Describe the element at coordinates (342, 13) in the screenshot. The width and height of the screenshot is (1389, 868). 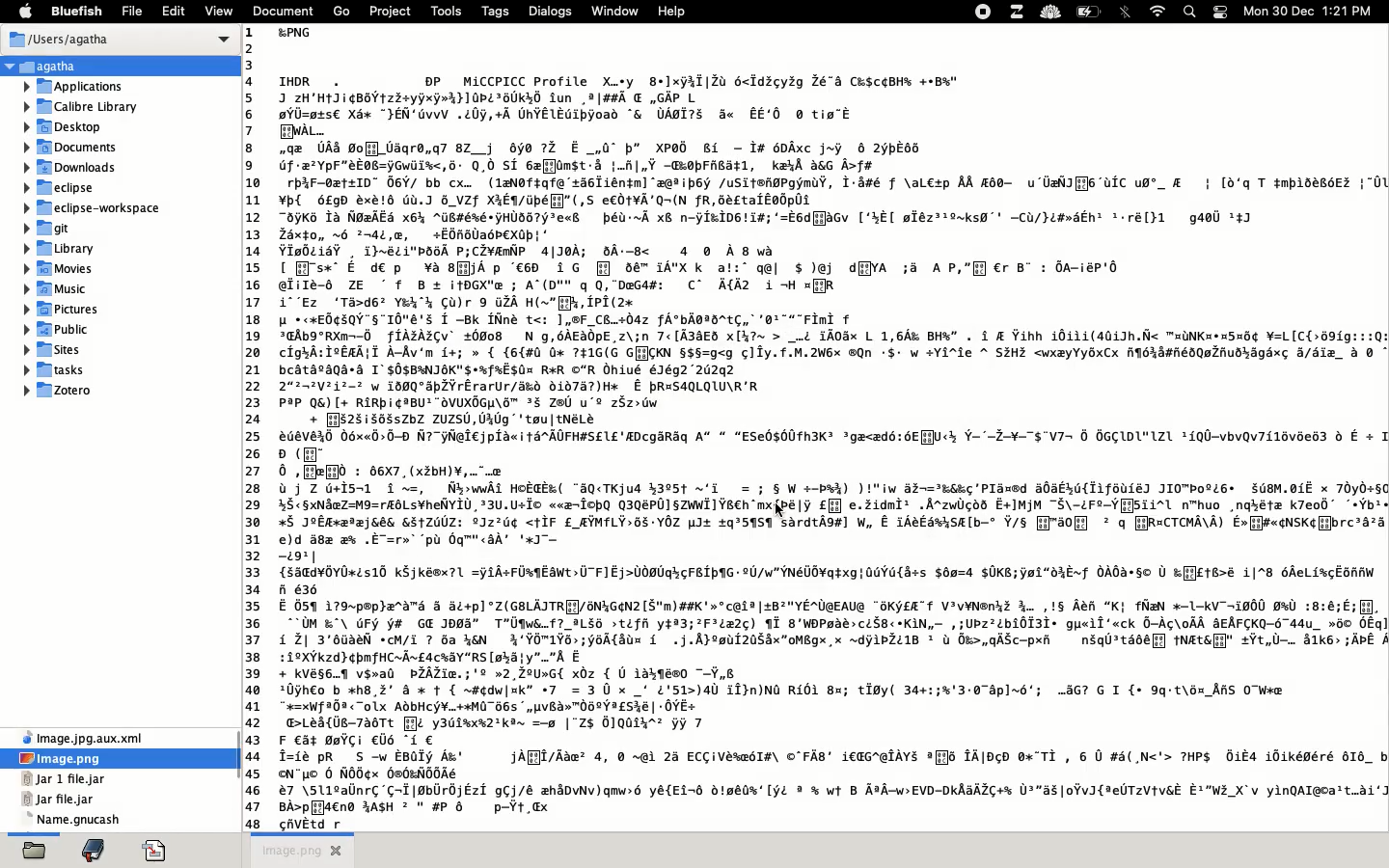
I see `go` at that location.